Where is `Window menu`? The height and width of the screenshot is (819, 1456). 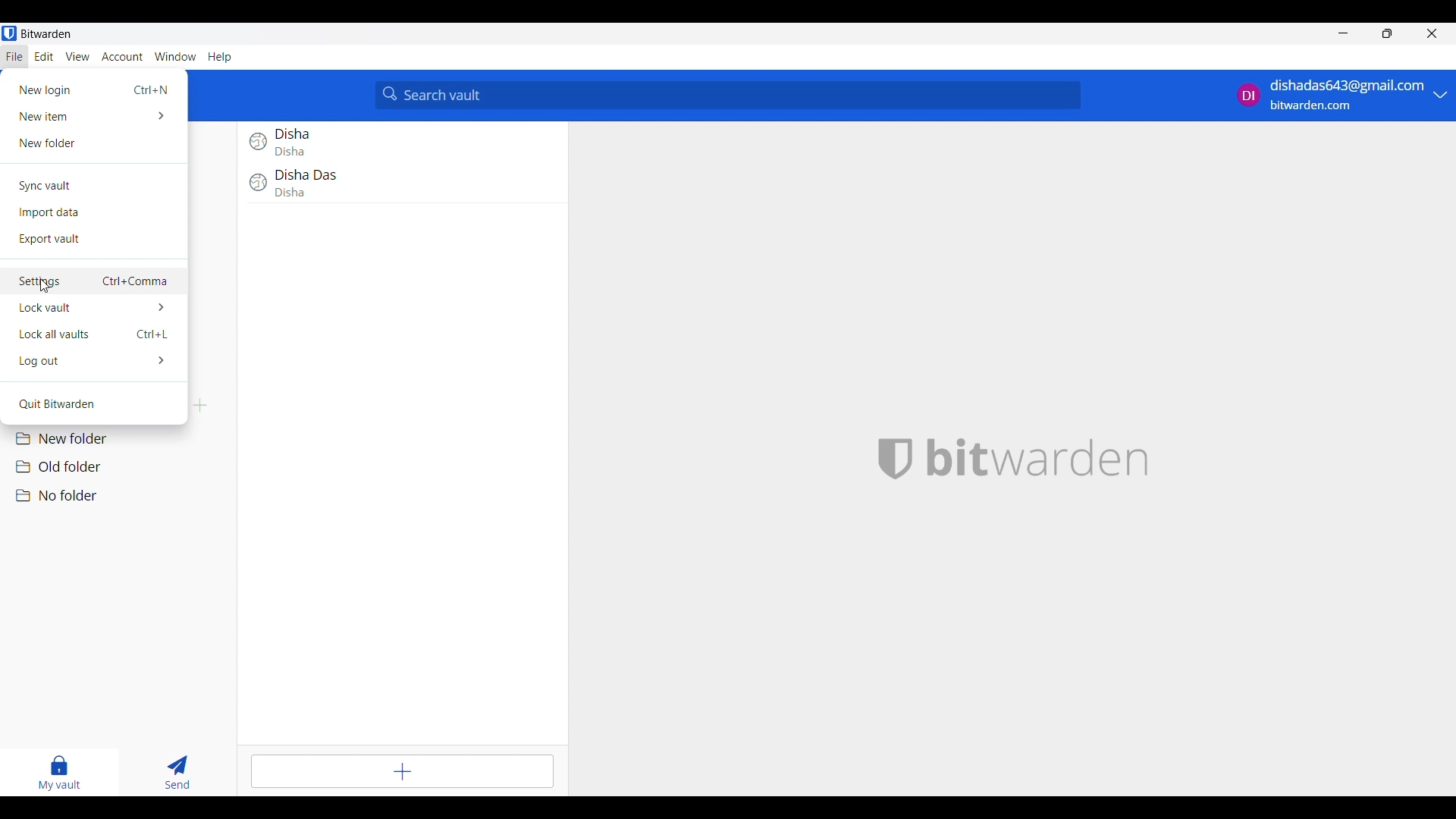
Window menu is located at coordinates (175, 57).